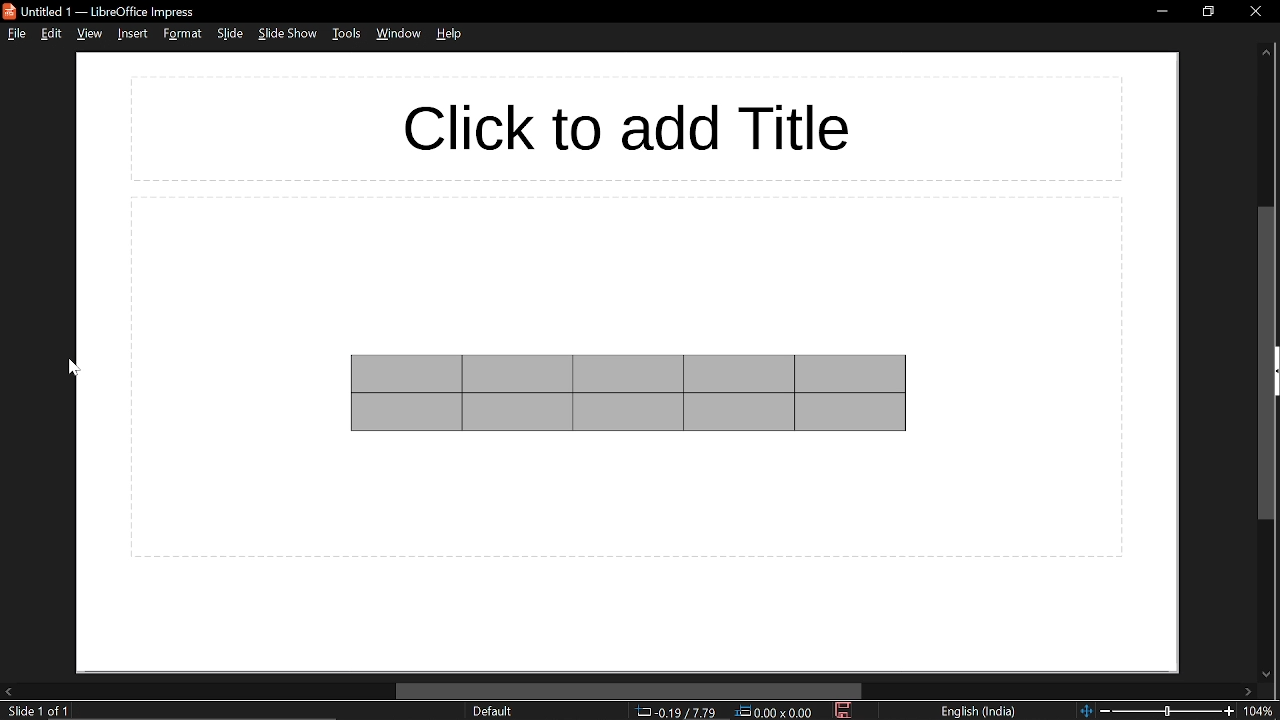  Describe the element at coordinates (1162, 12) in the screenshot. I see `minimize` at that location.